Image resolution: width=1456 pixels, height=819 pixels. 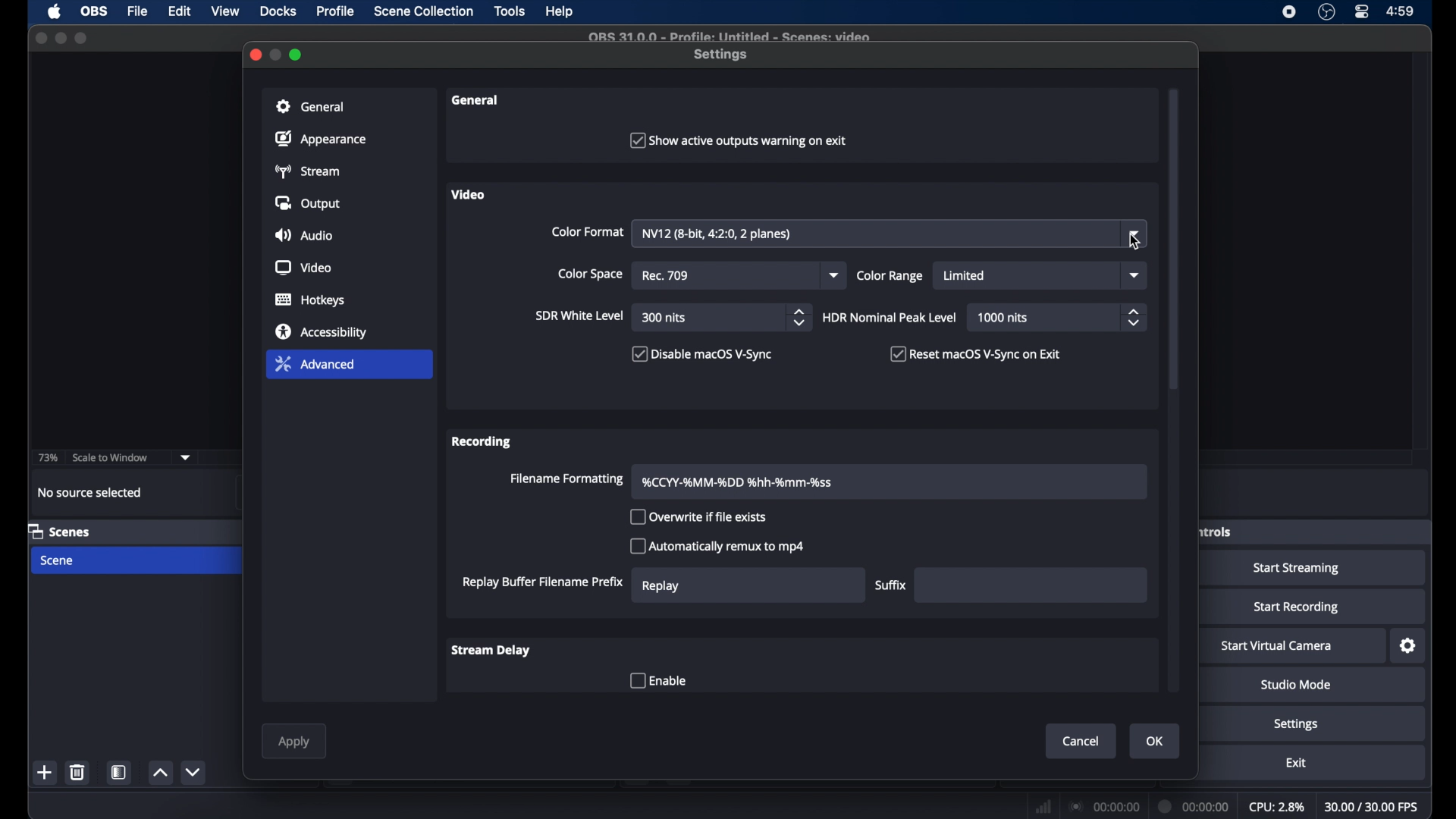 I want to click on delete, so click(x=78, y=772).